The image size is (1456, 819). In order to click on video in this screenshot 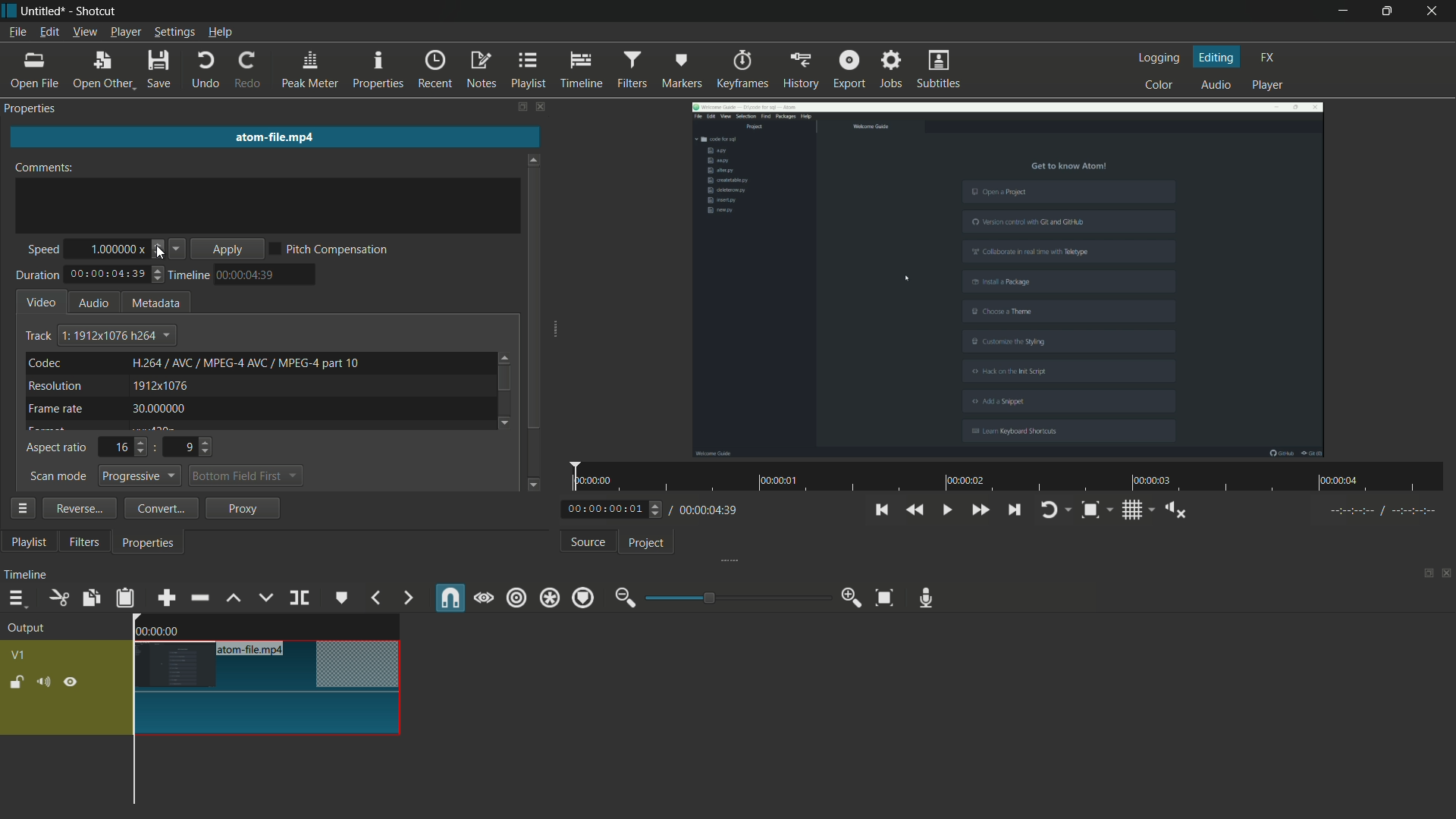, I will do `click(42, 301)`.